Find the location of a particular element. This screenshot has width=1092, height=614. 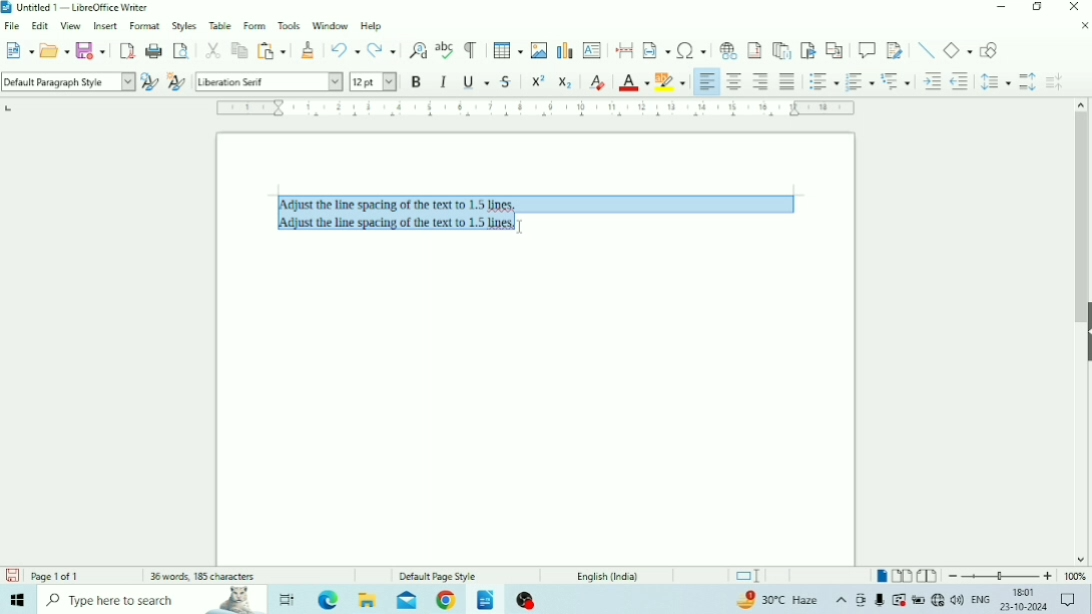

Temperature is located at coordinates (778, 600).